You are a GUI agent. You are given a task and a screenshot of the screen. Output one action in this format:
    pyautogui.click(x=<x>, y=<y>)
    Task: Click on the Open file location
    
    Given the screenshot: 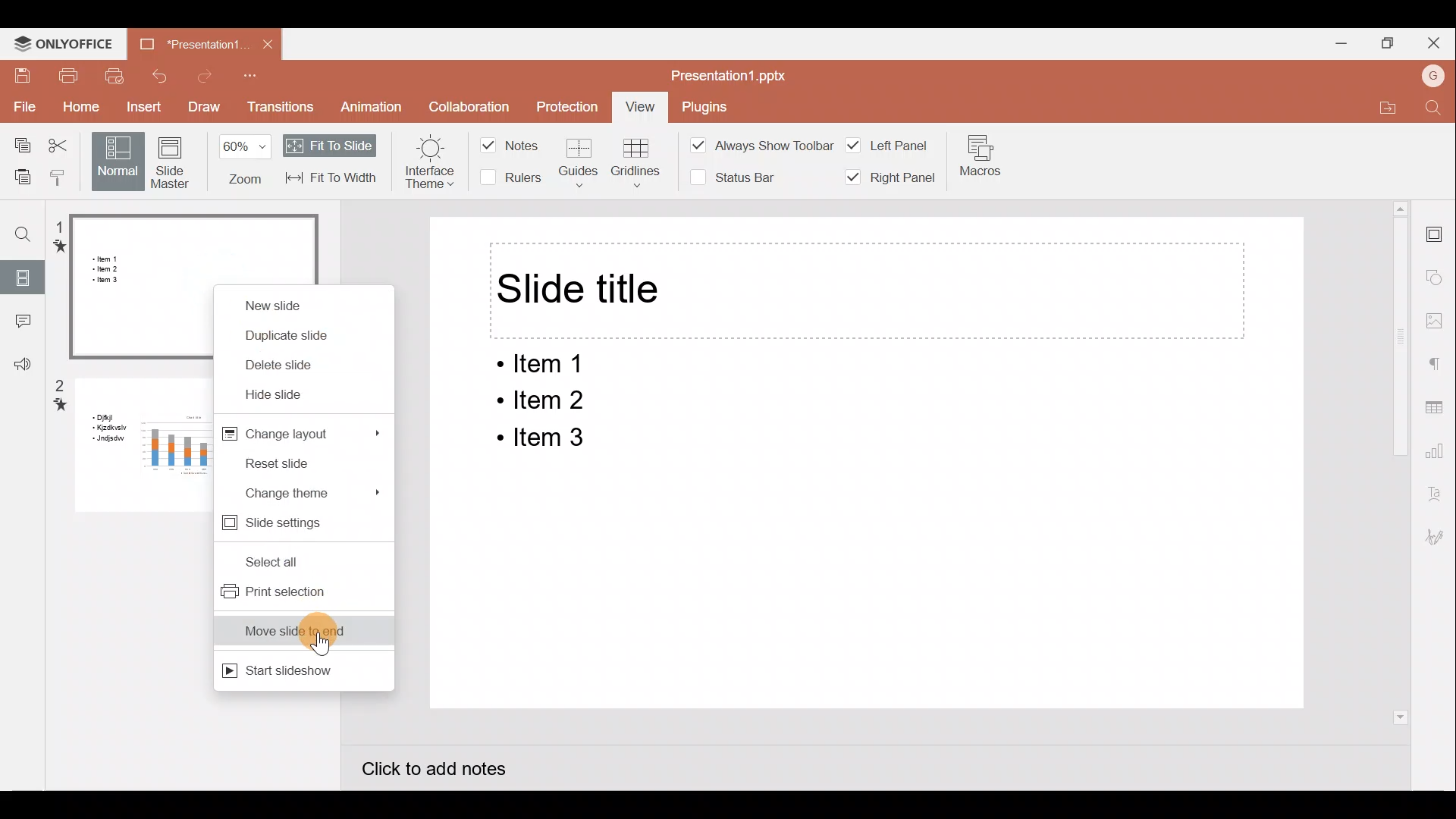 What is the action you would take?
    pyautogui.click(x=1382, y=106)
    